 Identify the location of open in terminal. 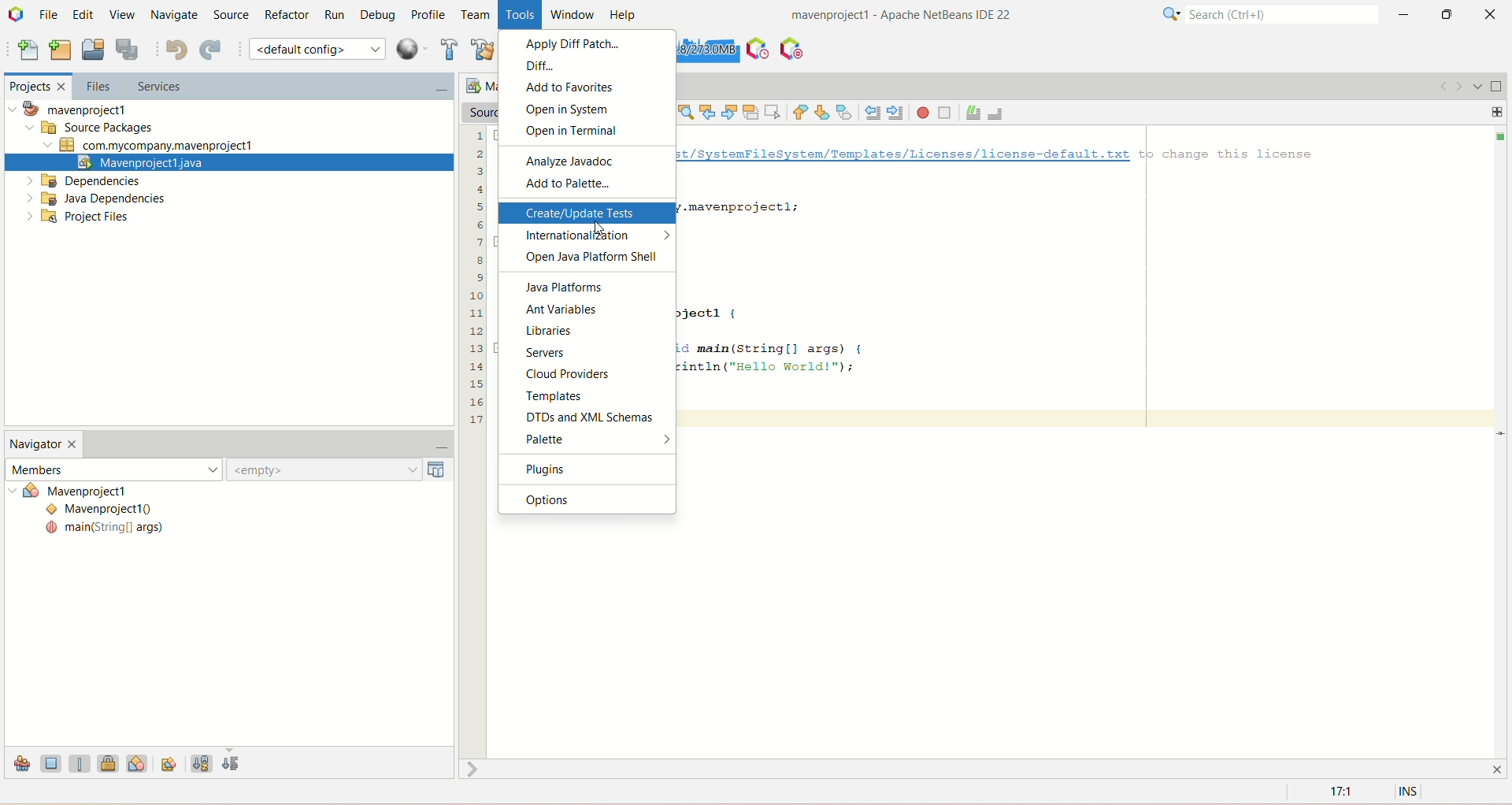
(590, 134).